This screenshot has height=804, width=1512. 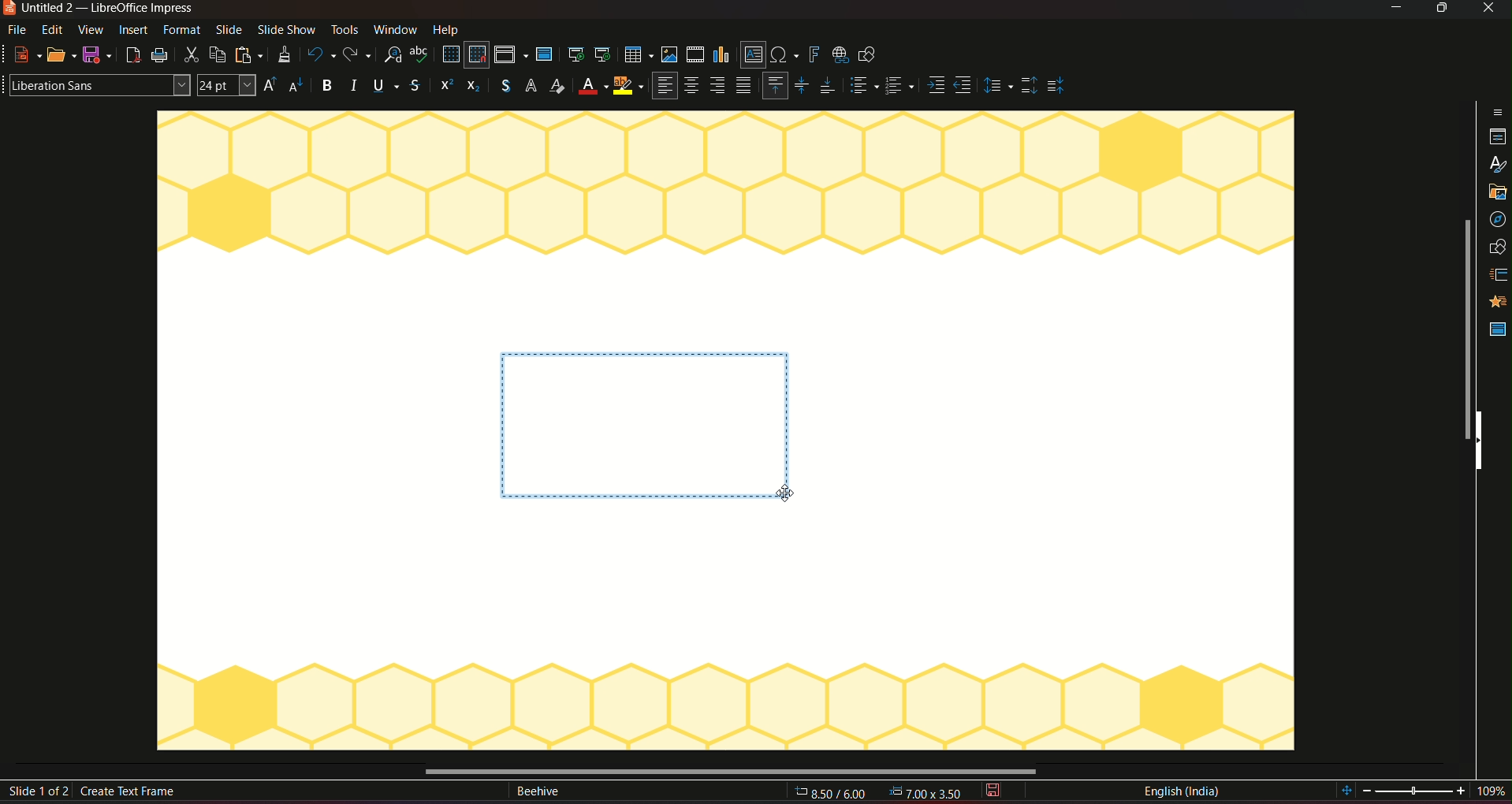 What do you see at coordinates (450, 54) in the screenshot?
I see `display grid` at bounding box center [450, 54].